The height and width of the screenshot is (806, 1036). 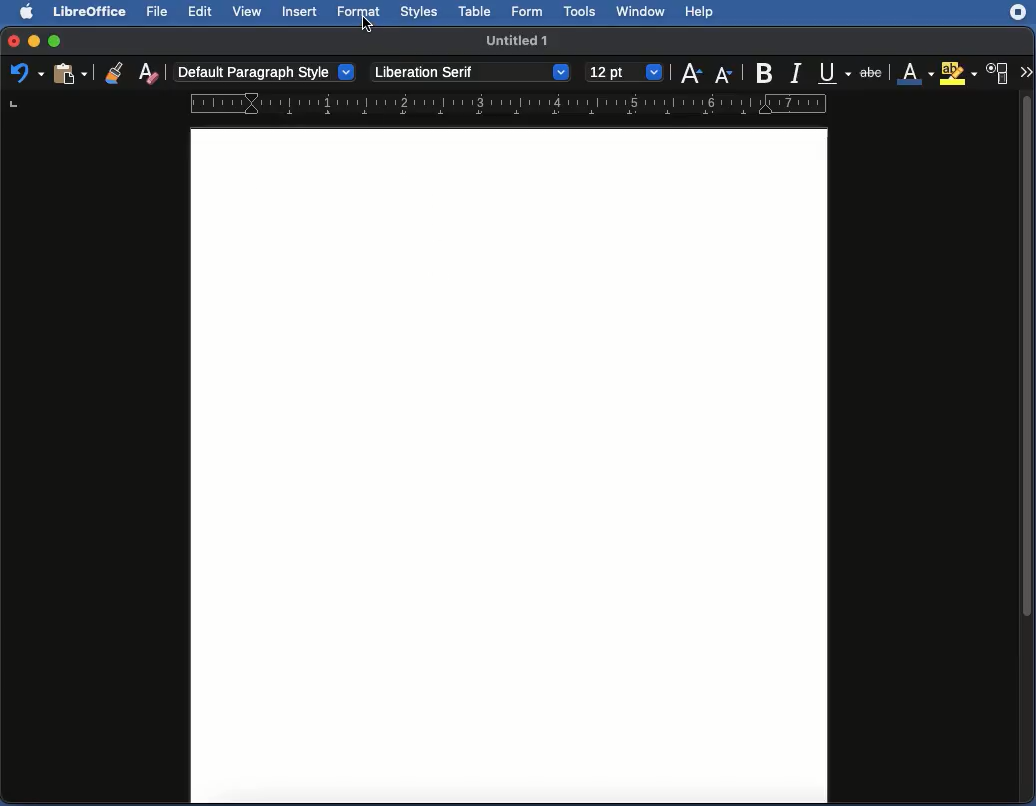 What do you see at coordinates (72, 76) in the screenshot?
I see `Clipboard` at bounding box center [72, 76].